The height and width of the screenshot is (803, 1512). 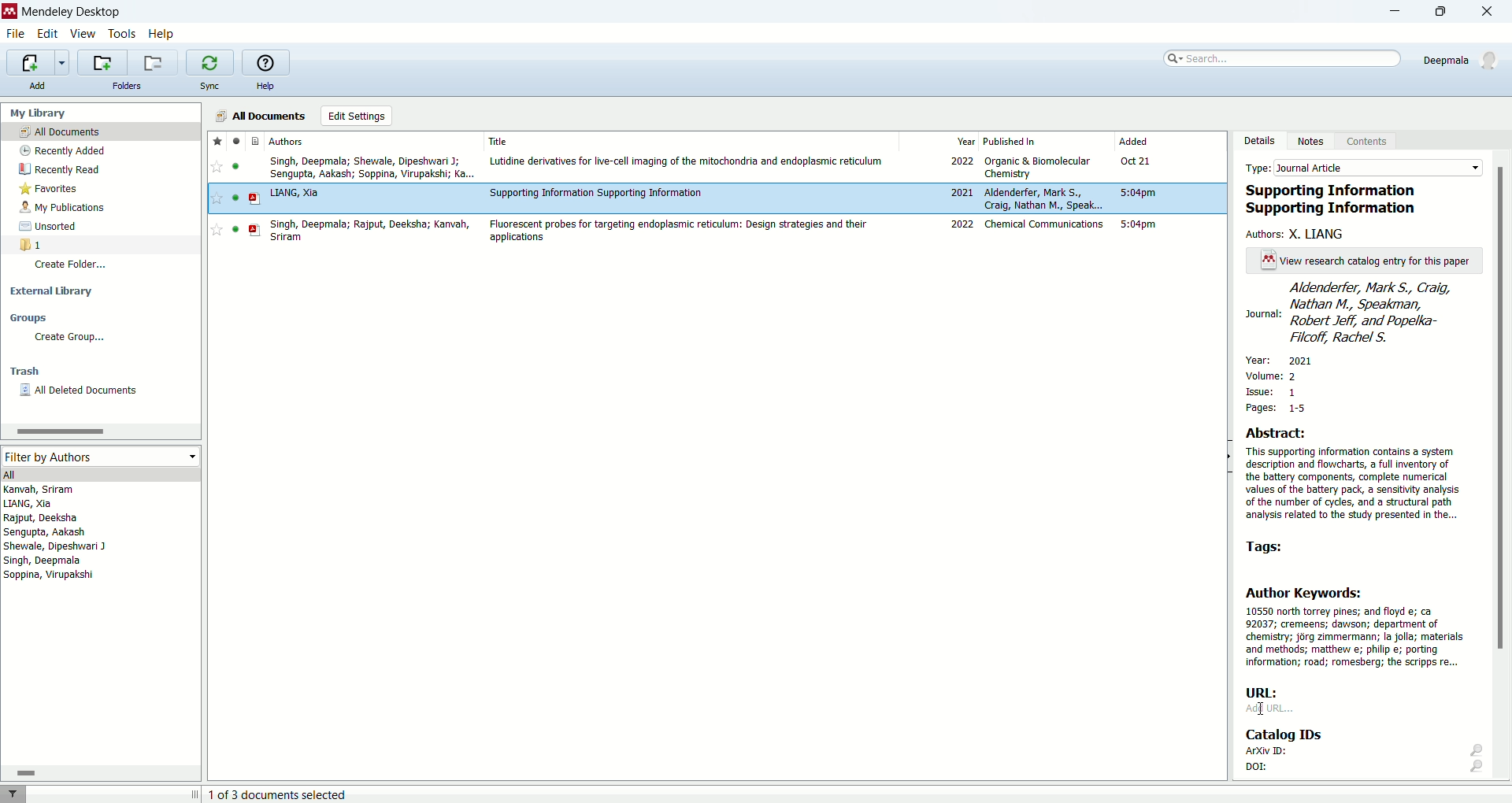 What do you see at coordinates (129, 87) in the screenshot?
I see `folders` at bounding box center [129, 87].